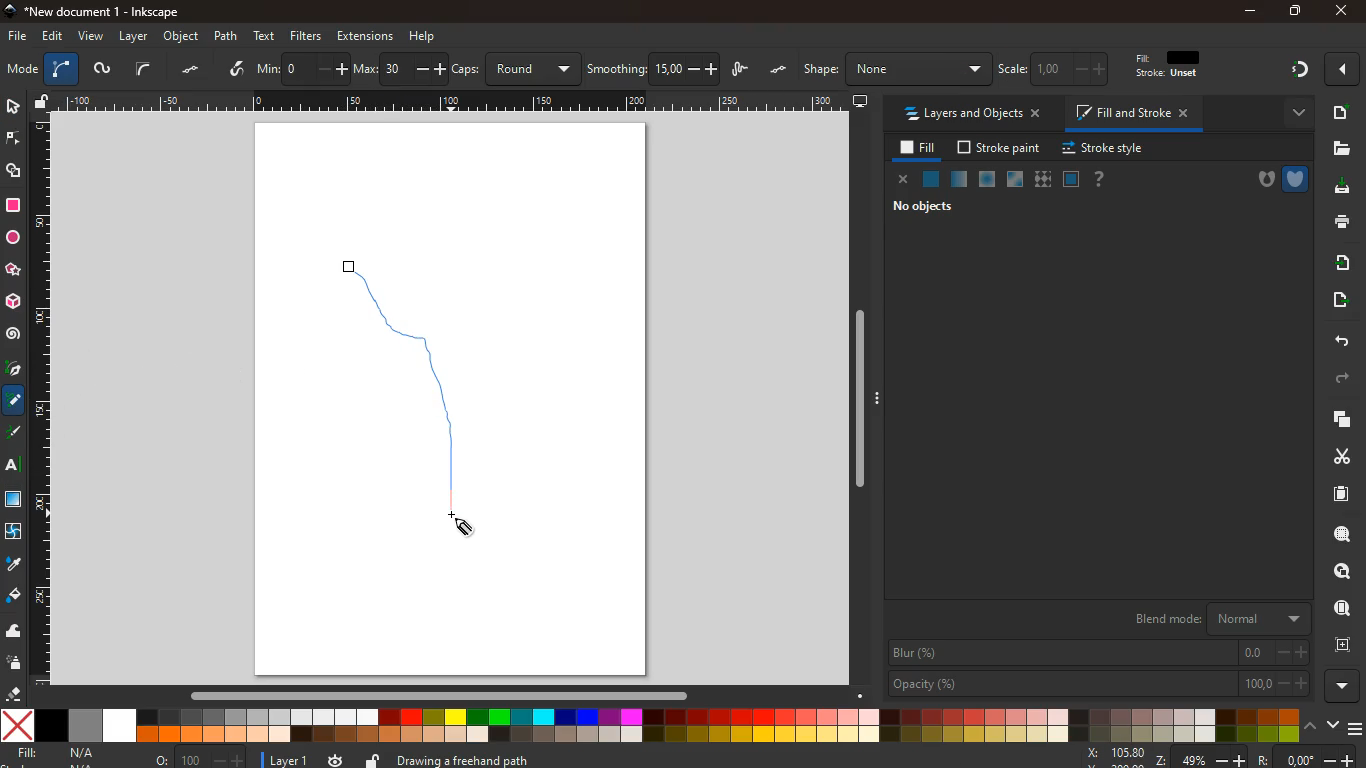 Image resolution: width=1366 pixels, height=768 pixels. Describe the element at coordinates (15, 270) in the screenshot. I see `star` at that location.